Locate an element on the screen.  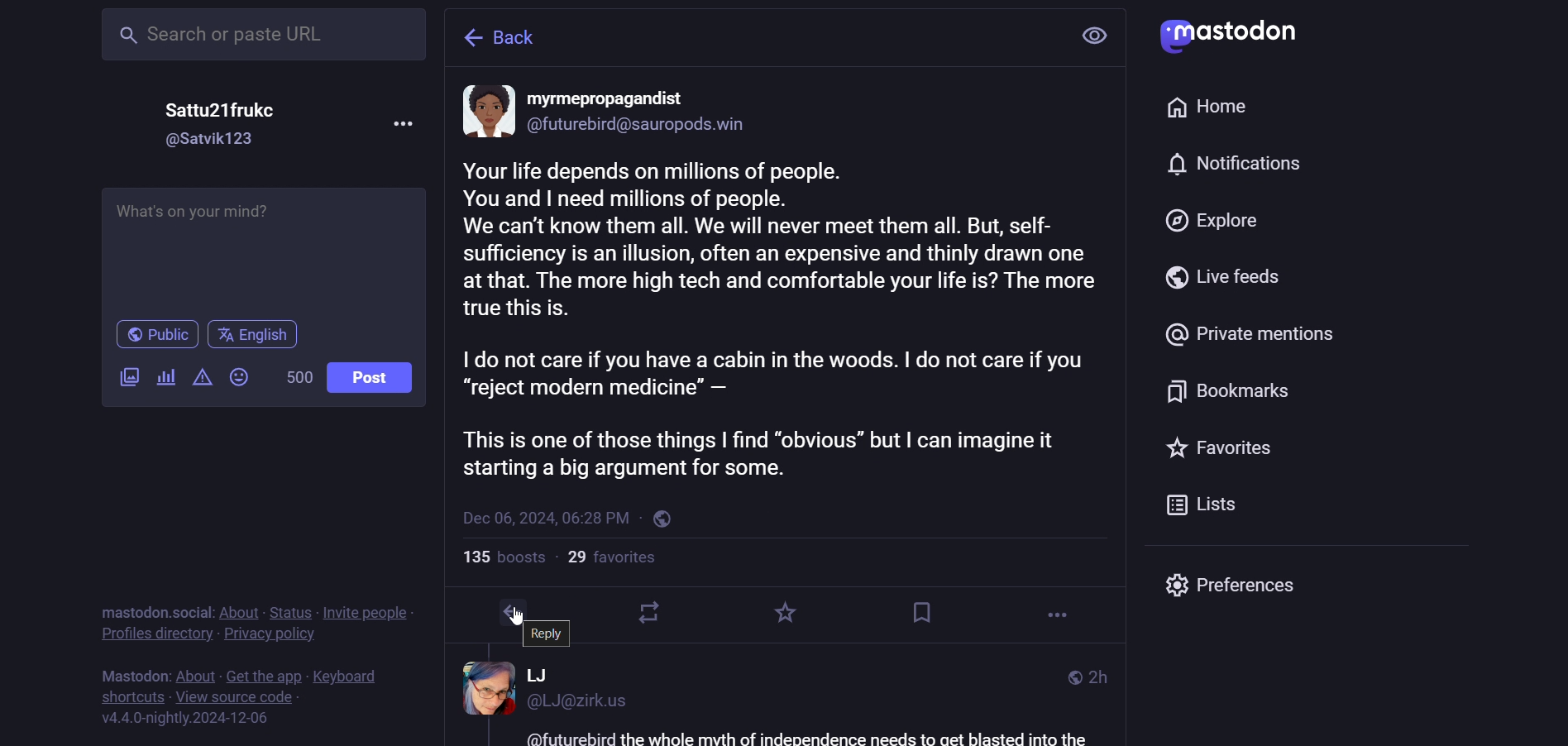
name is located at coordinates (613, 99).